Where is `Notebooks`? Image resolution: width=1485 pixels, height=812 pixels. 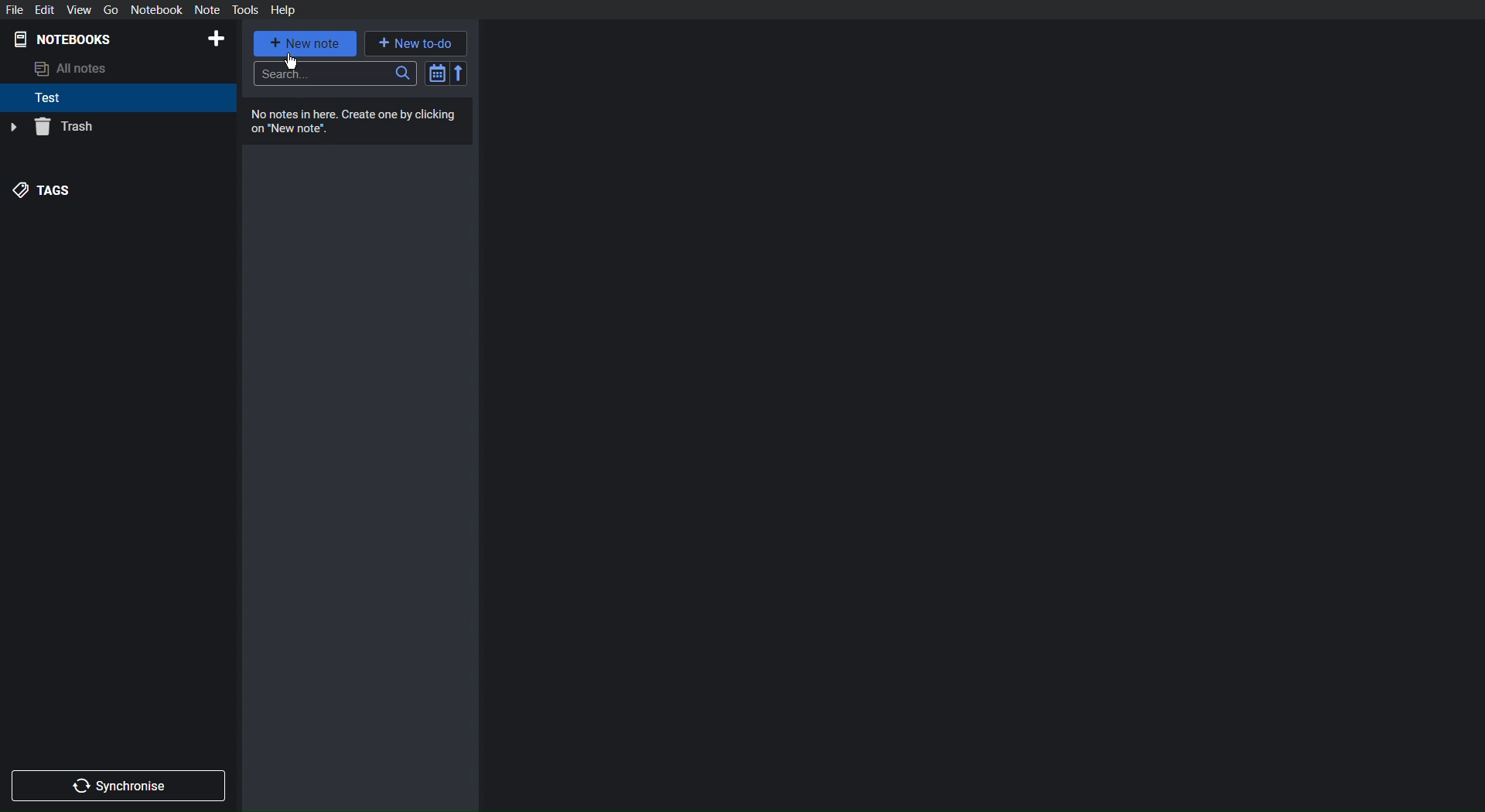 Notebooks is located at coordinates (63, 39).